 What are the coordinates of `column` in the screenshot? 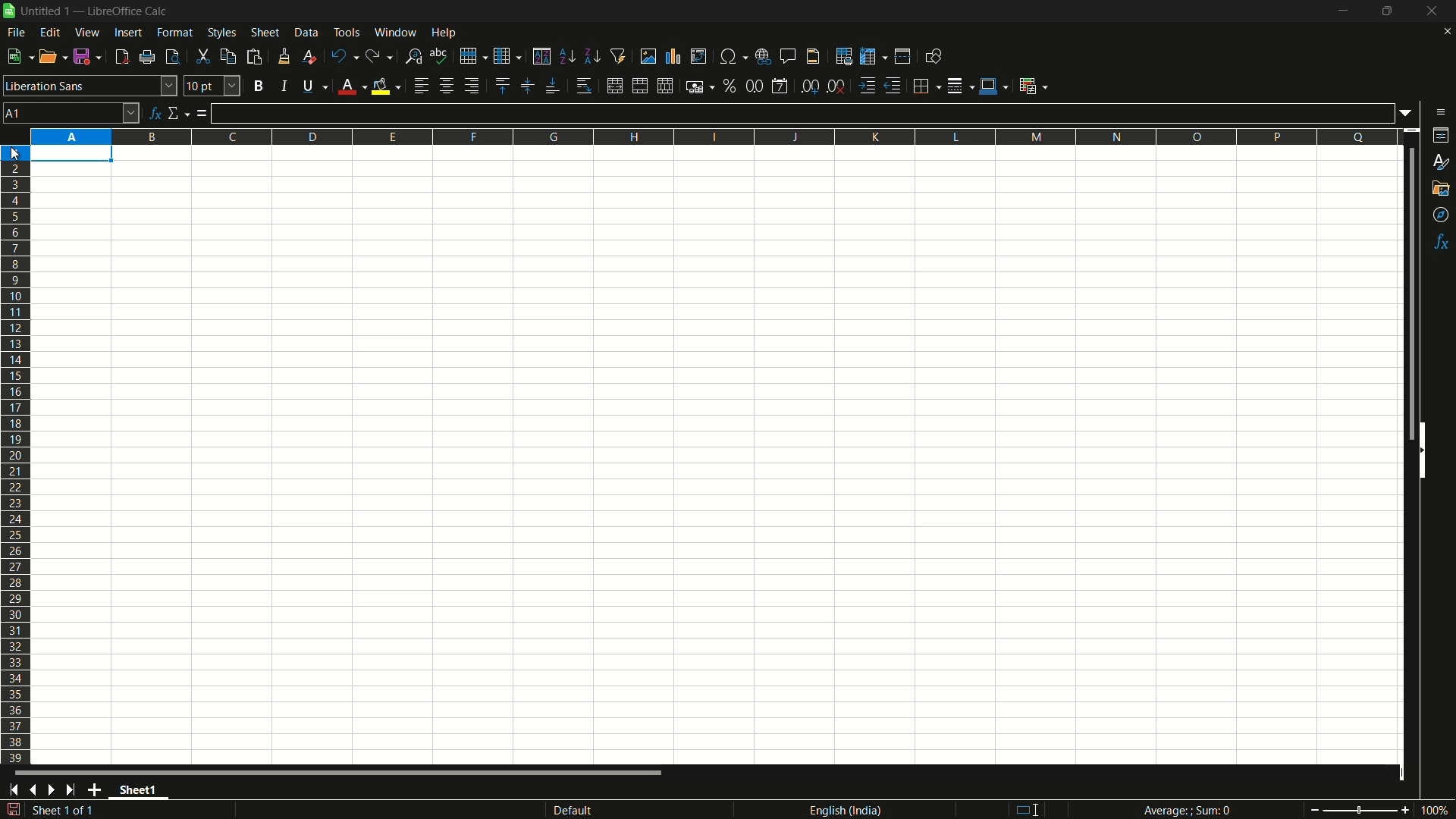 It's located at (508, 57).